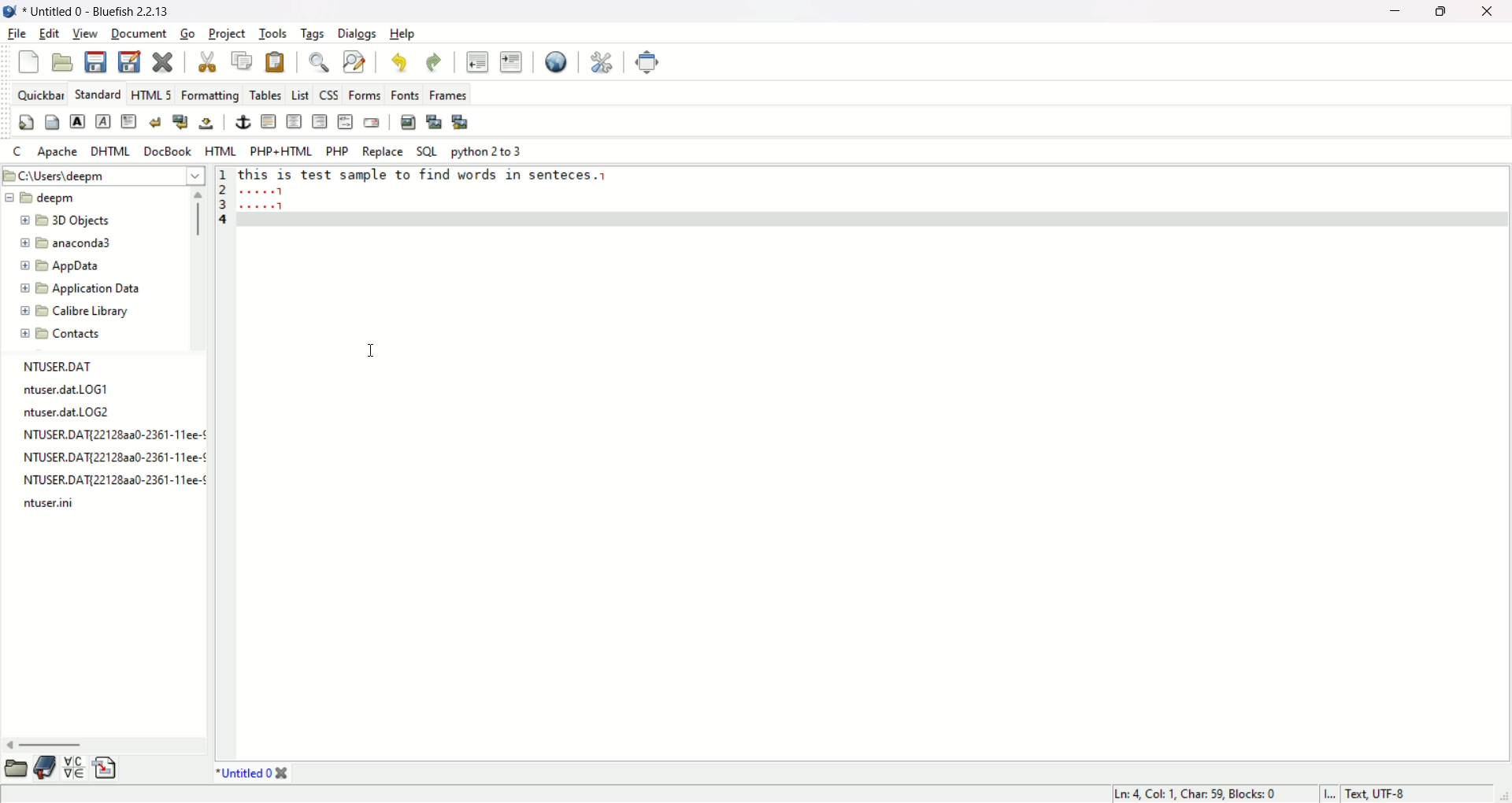 The height and width of the screenshot is (803, 1512). I want to click on Replace, so click(380, 151).